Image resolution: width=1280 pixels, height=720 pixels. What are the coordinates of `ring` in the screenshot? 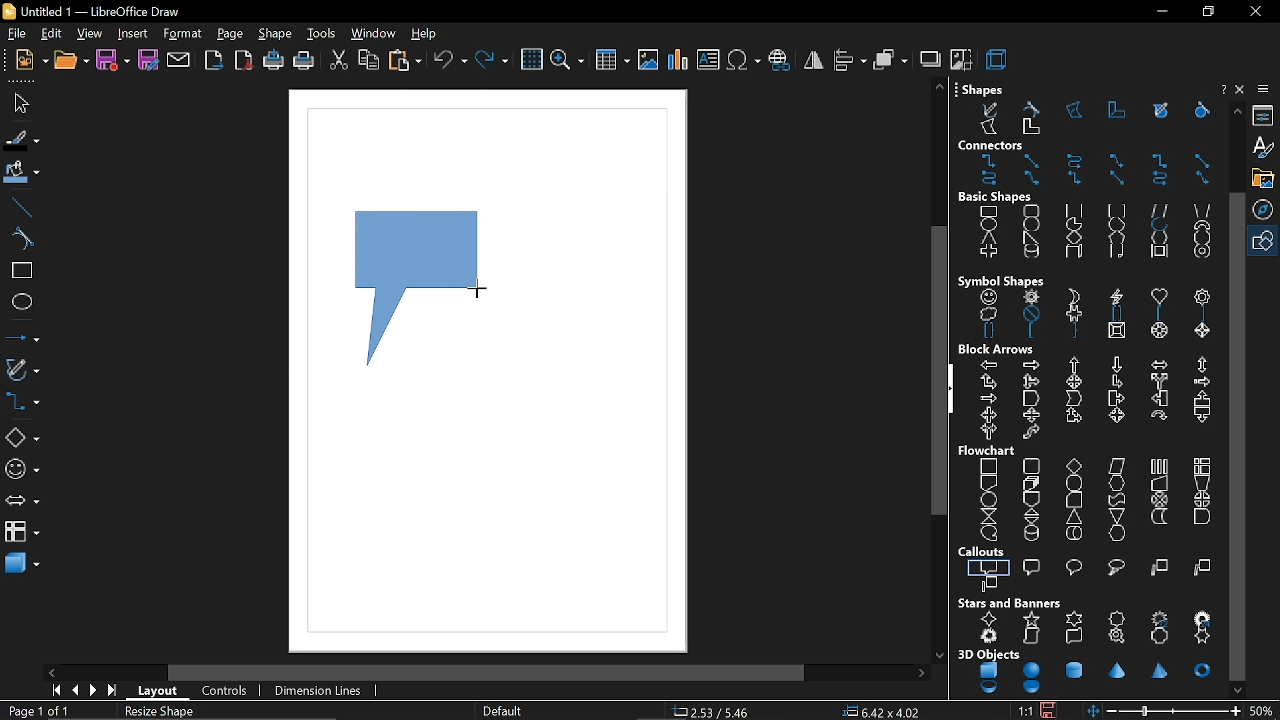 It's located at (1202, 254).